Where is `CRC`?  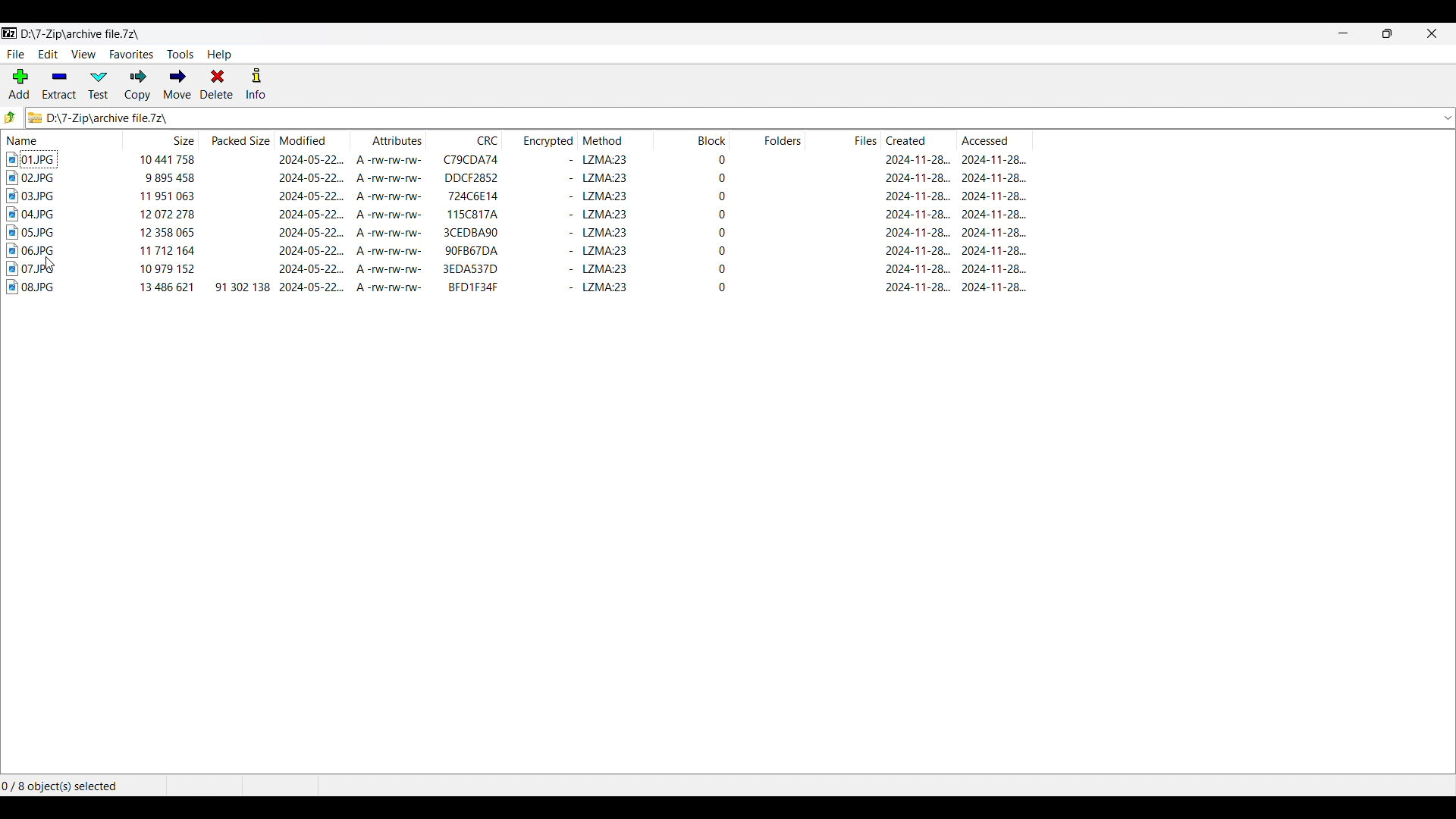
CRC is located at coordinates (471, 250).